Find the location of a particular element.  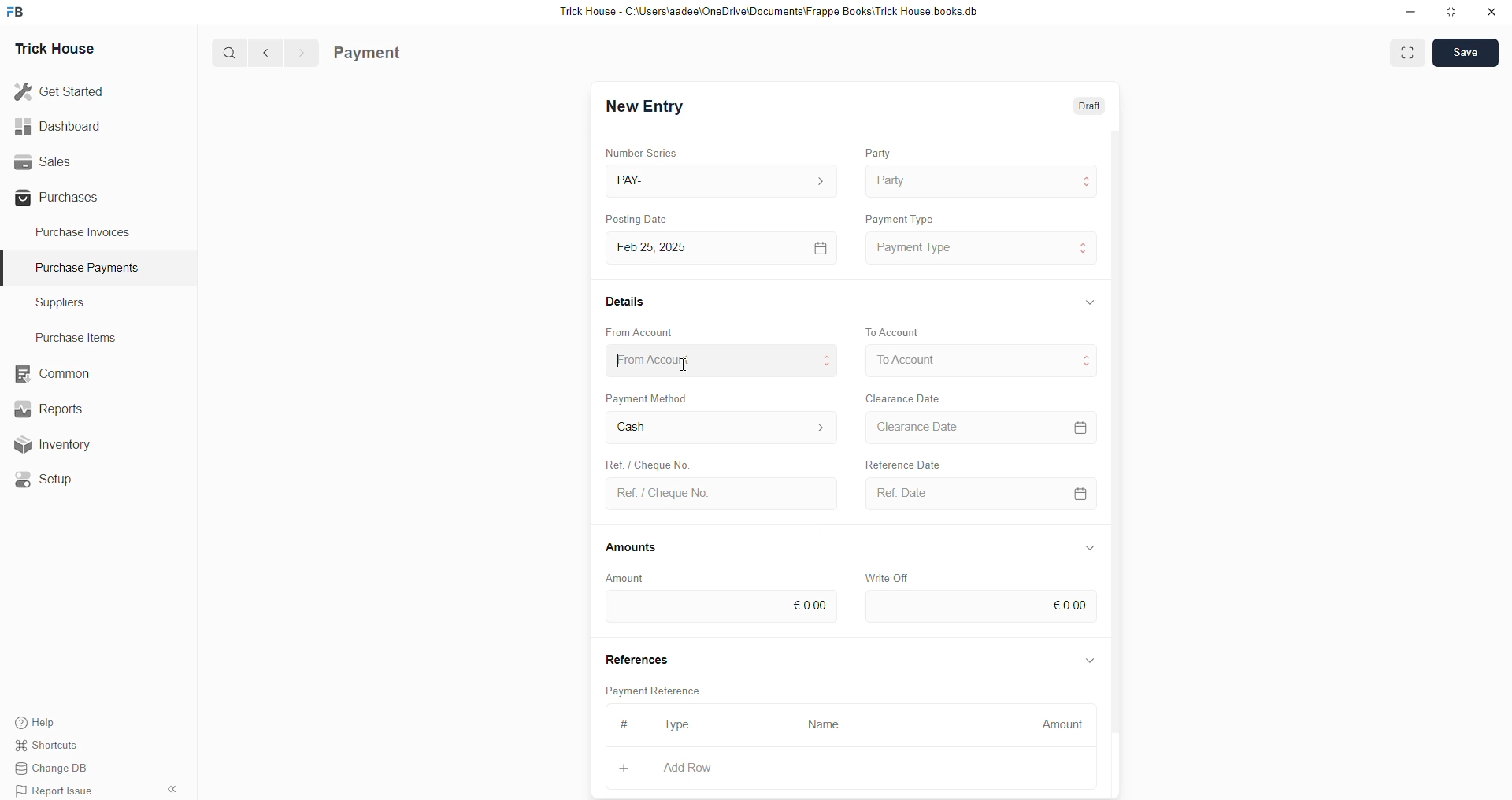

Ref. / Cheque No. is located at coordinates (663, 492).